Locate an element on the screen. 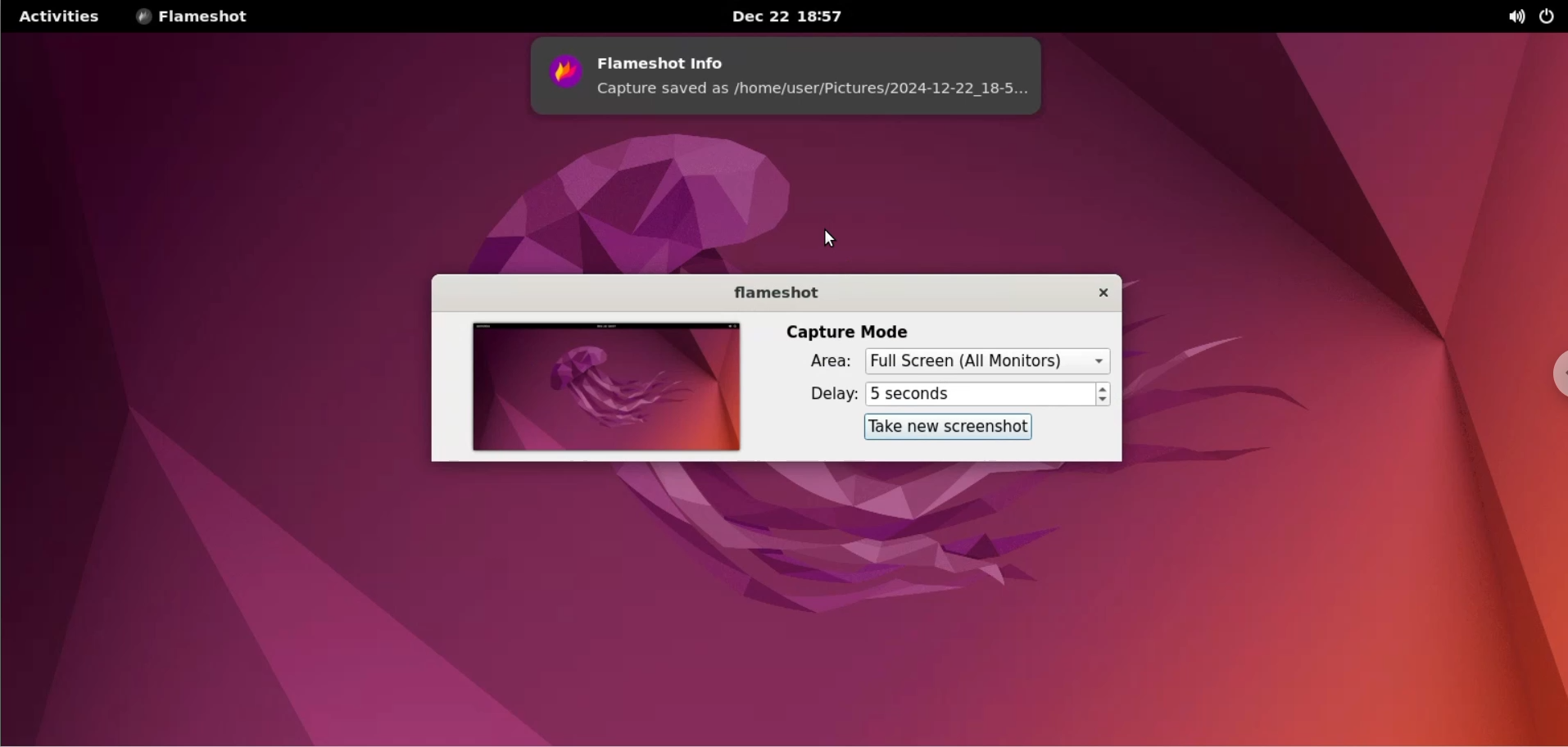 Image resolution: width=1568 pixels, height=747 pixels. power options  is located at coordinates (1551, 16).